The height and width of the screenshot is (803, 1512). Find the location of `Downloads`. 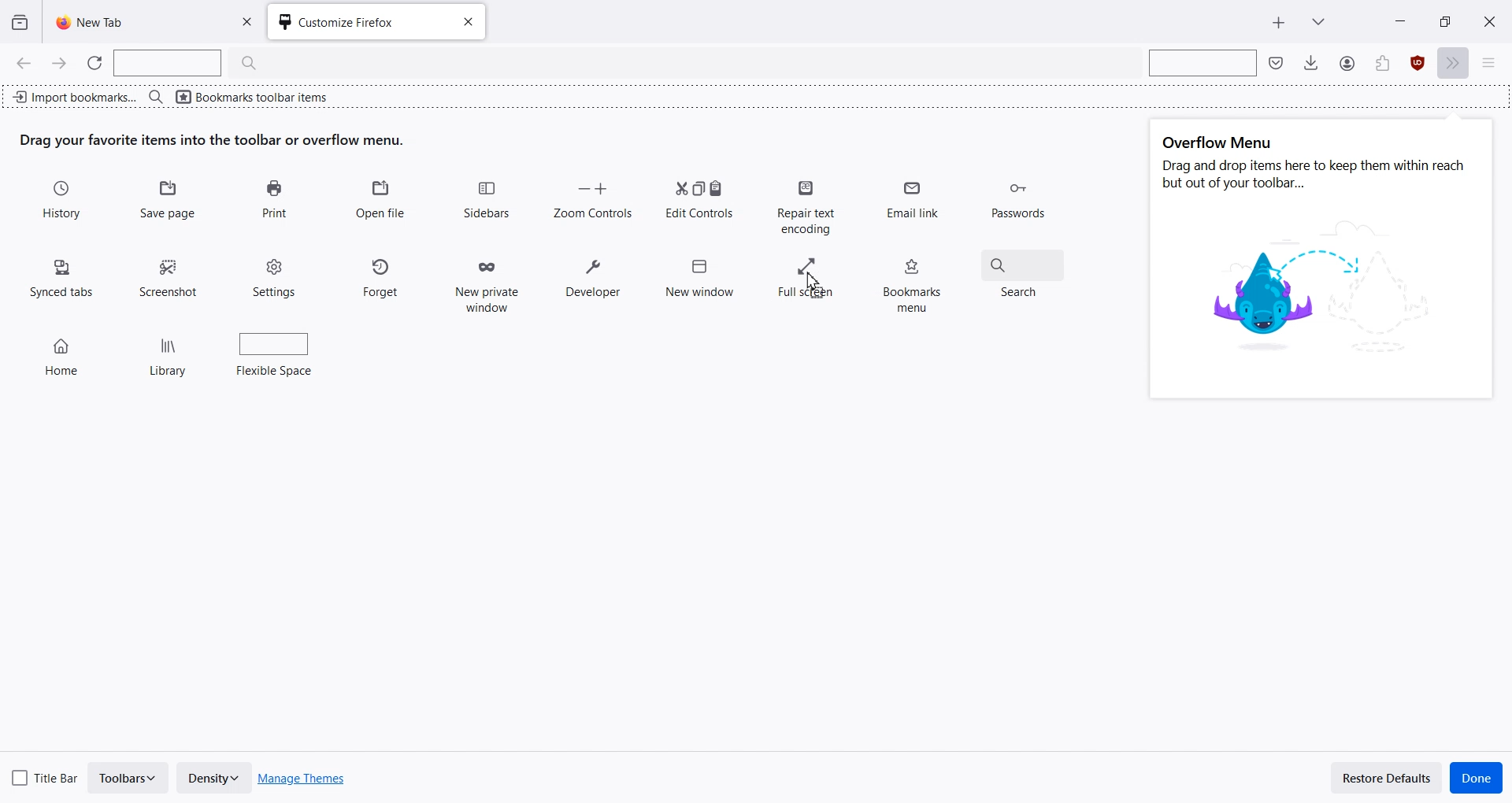

Downloads is located at coordinates (1311, 62).